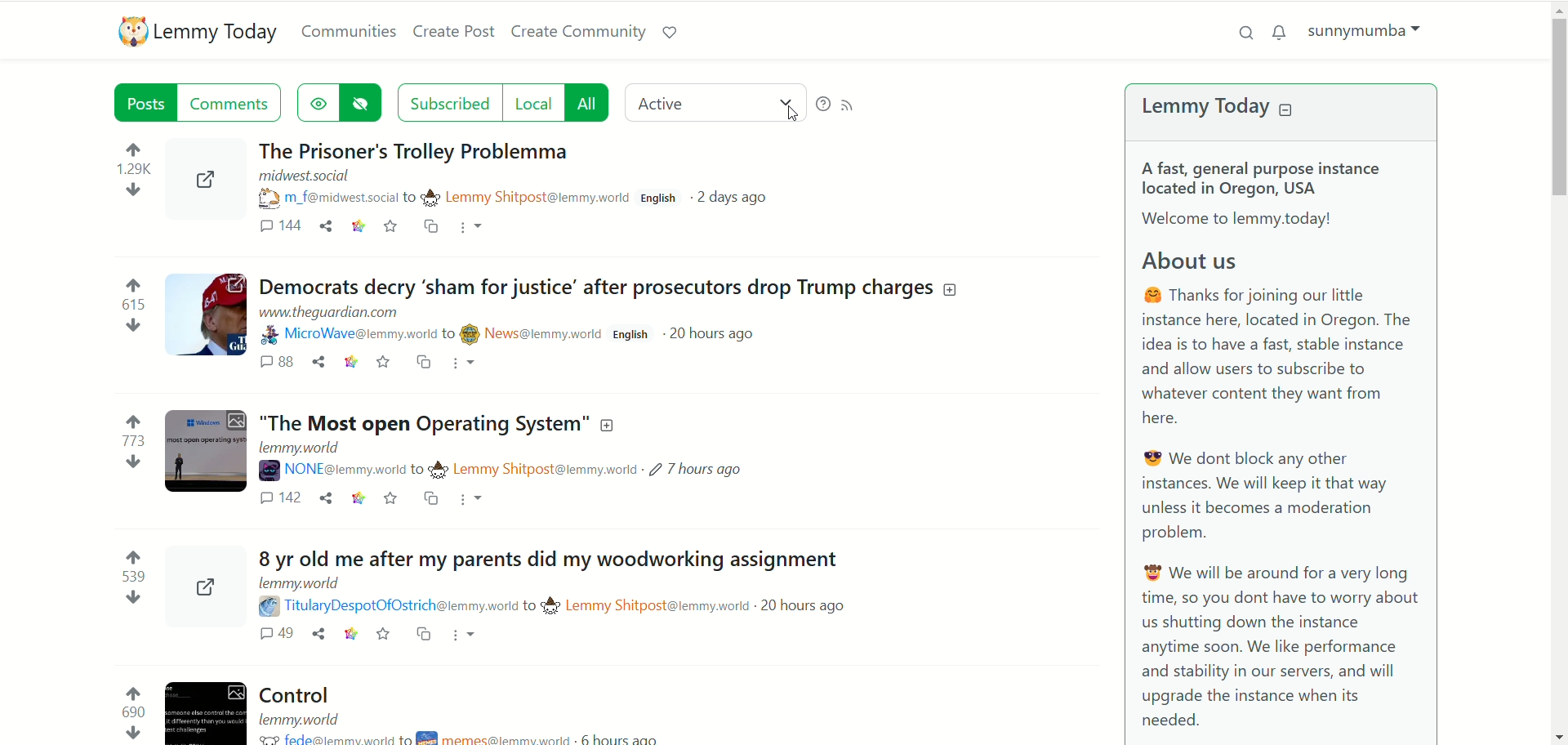  What do you see at coordinates (357, 501) in the screenshot?
I see `link` at bounding box center [357, 501].